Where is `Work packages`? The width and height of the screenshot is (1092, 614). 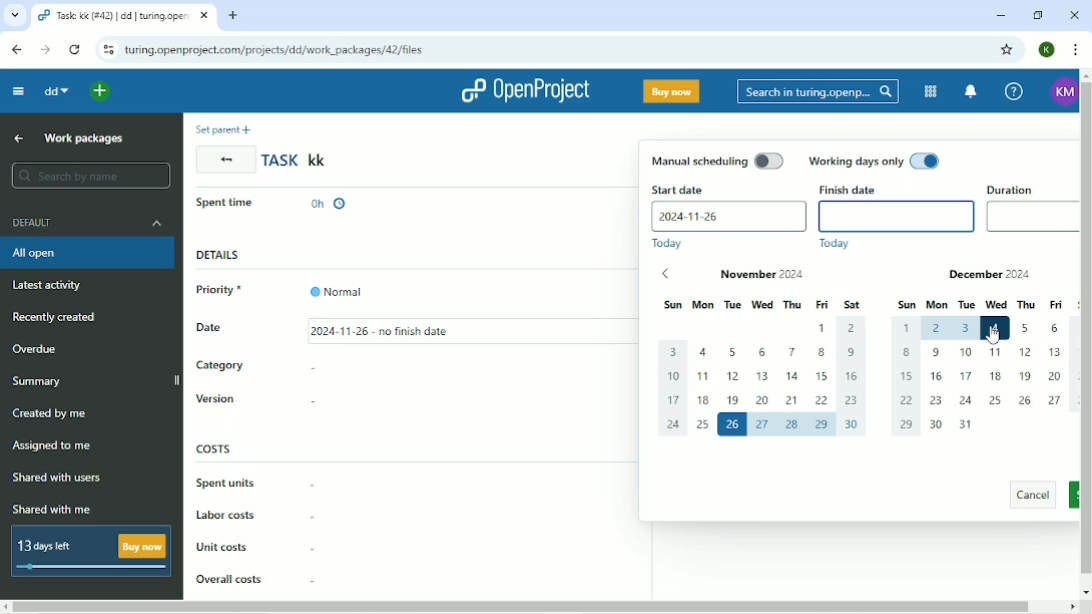
Work packages is located at coordinates (85, 139).